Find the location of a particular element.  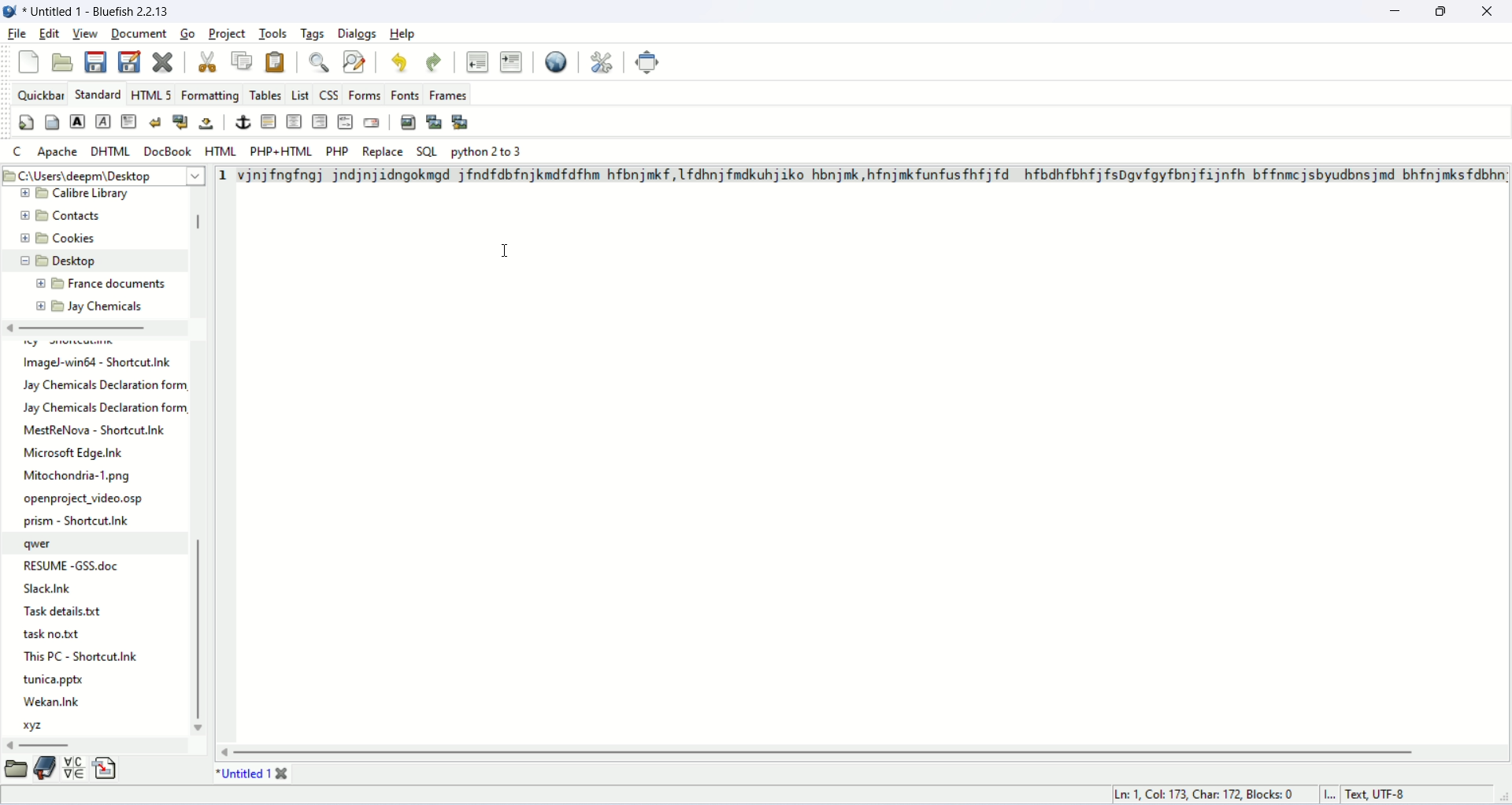

HTML 5 is located at coordinates (150, 94).